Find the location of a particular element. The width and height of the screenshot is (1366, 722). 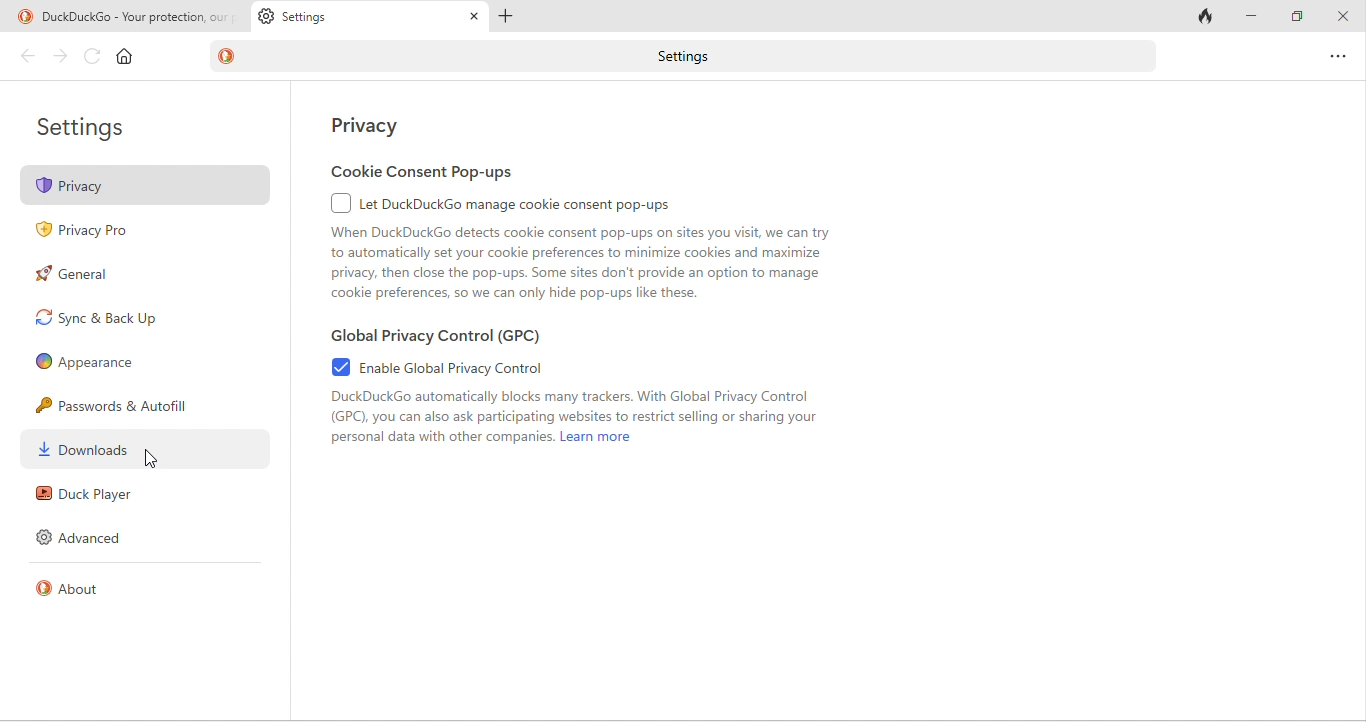

cursor is located at coordinates (153, 461).